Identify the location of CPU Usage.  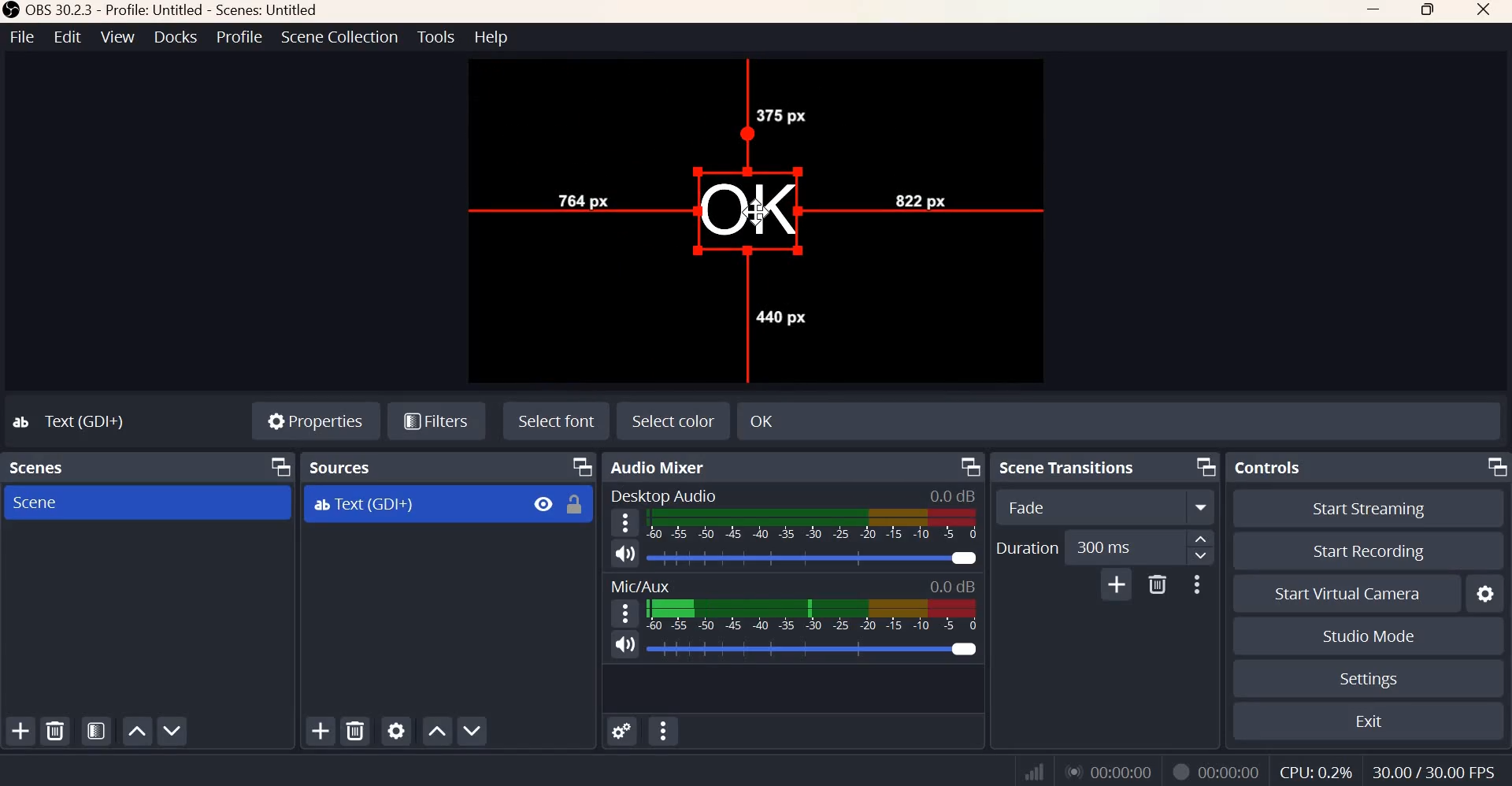
(1316, 772).